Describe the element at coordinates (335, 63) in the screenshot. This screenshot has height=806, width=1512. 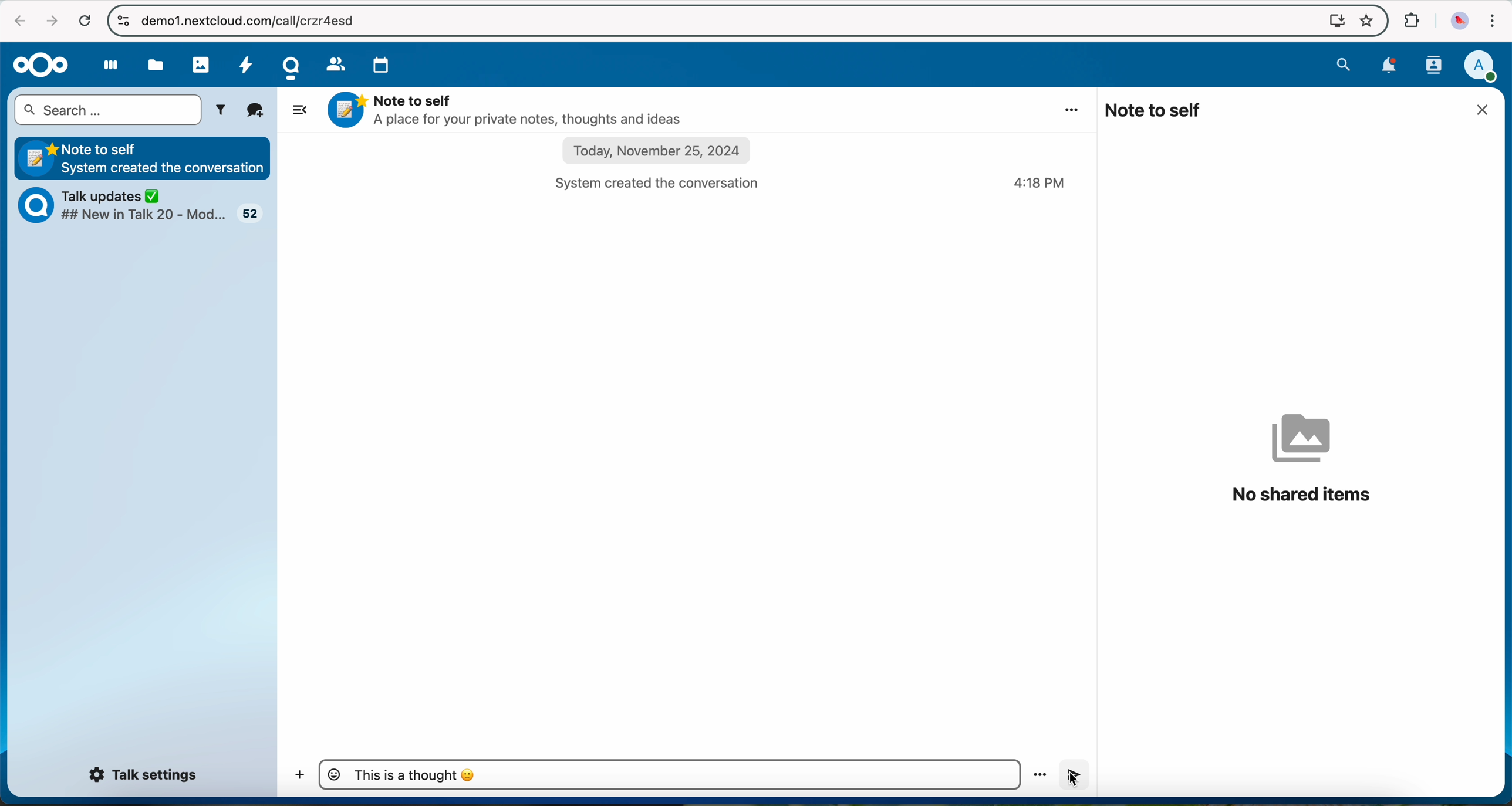
I see `contacts` at that location.